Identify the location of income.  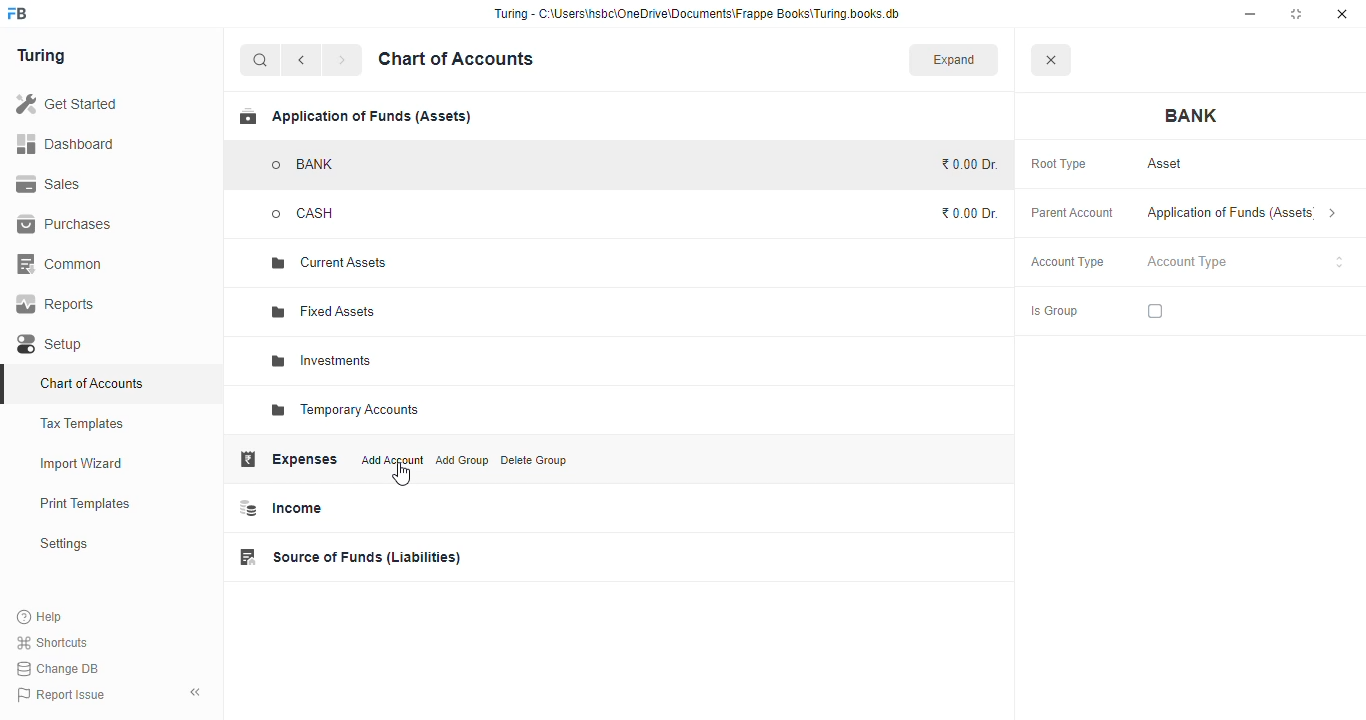
(279, 508).